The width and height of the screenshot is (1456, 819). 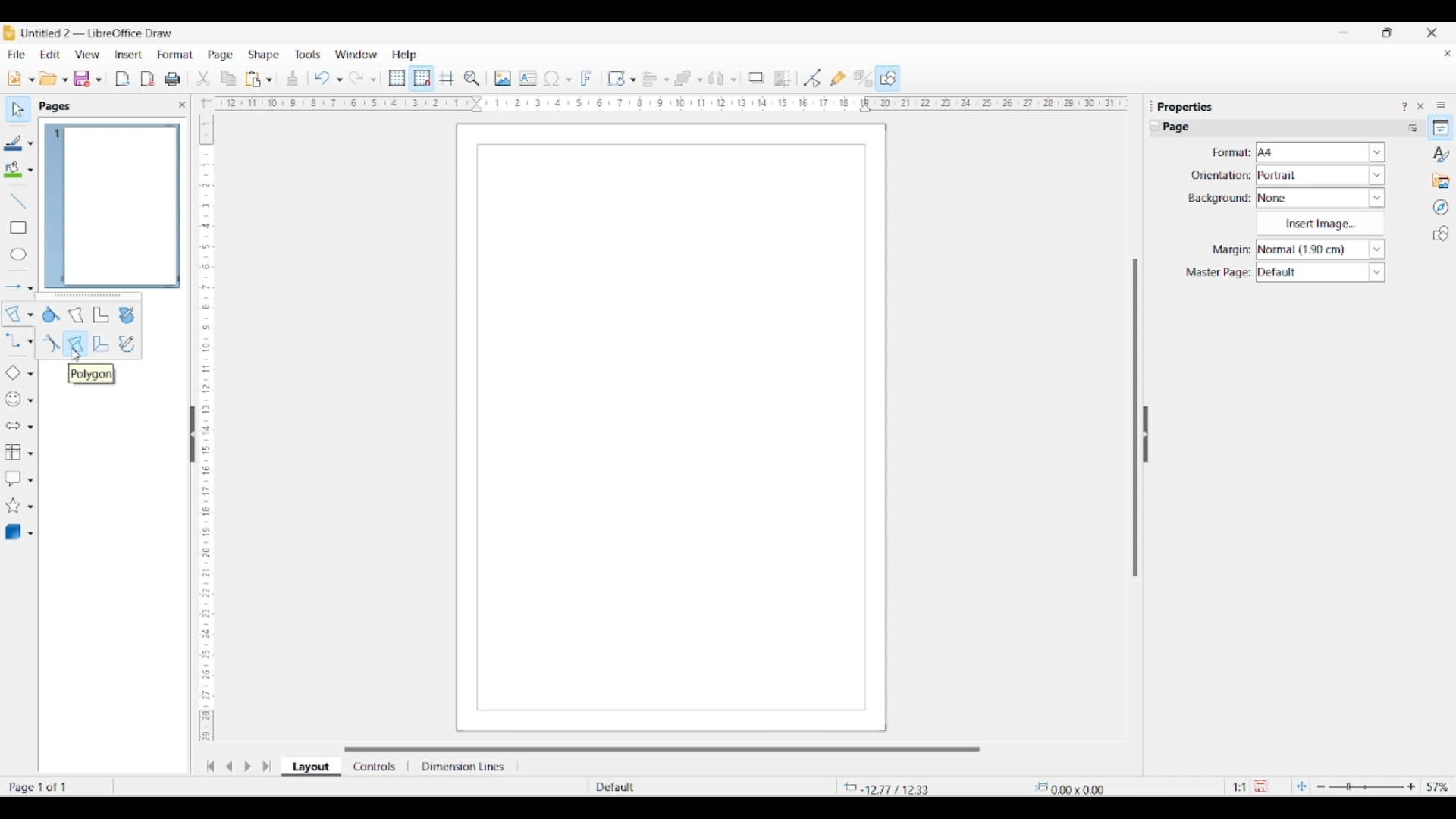 I want to click on Indicates format settings, so click(x=1230, y=153).